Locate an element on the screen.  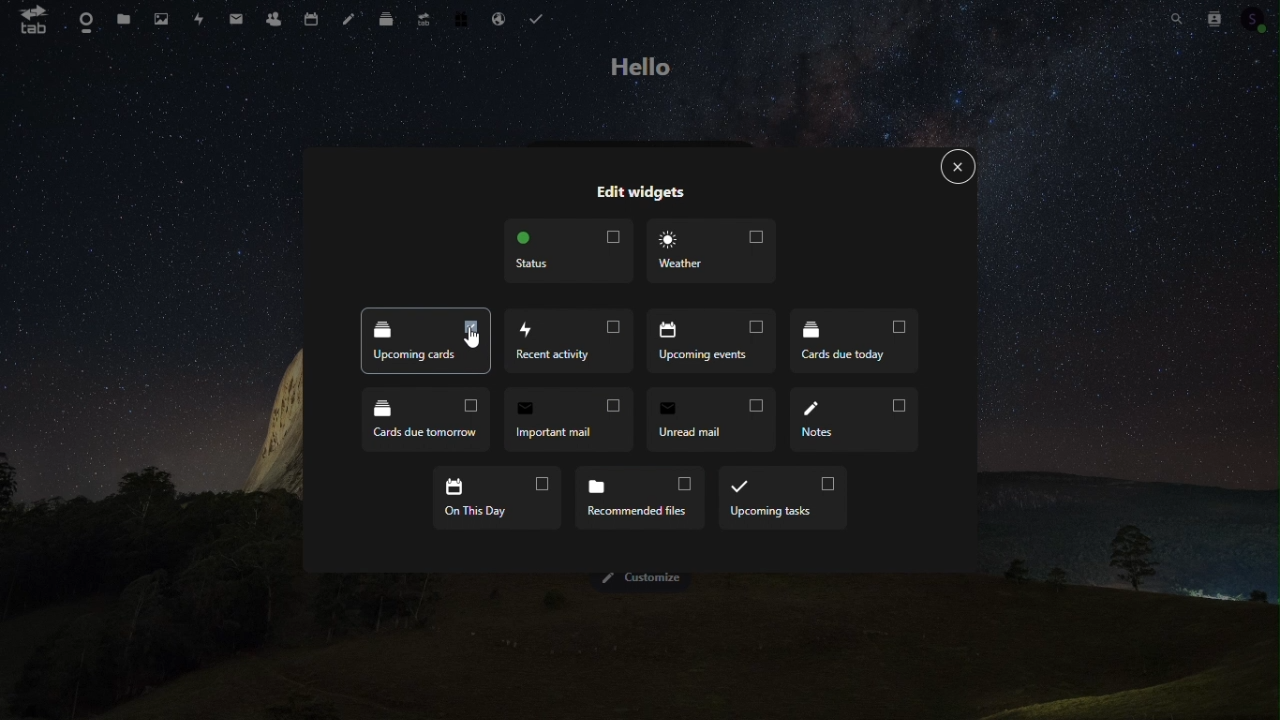
Unread email is located at coordinates (714, 420).